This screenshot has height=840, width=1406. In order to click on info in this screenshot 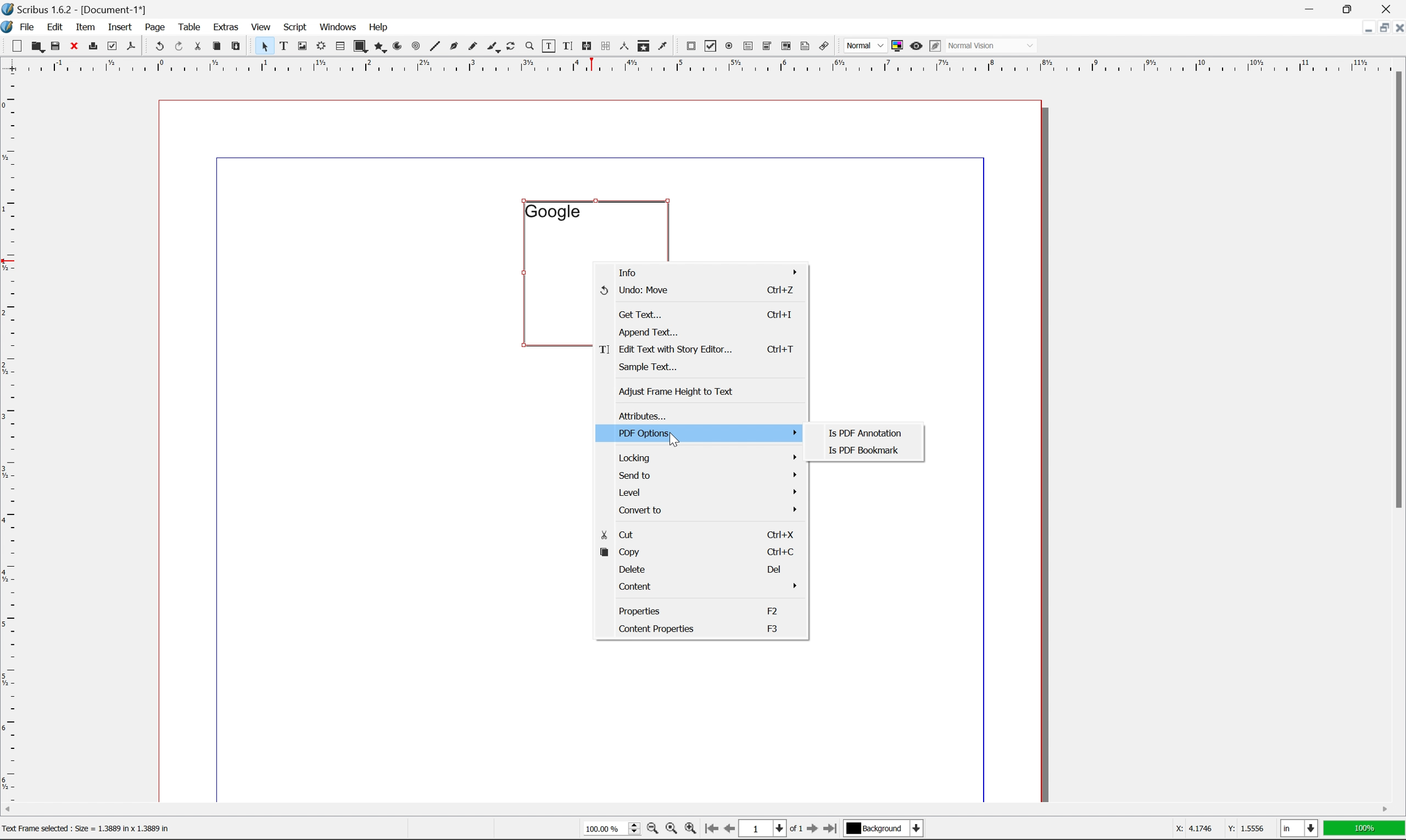, I will do `click(707, 272)`.